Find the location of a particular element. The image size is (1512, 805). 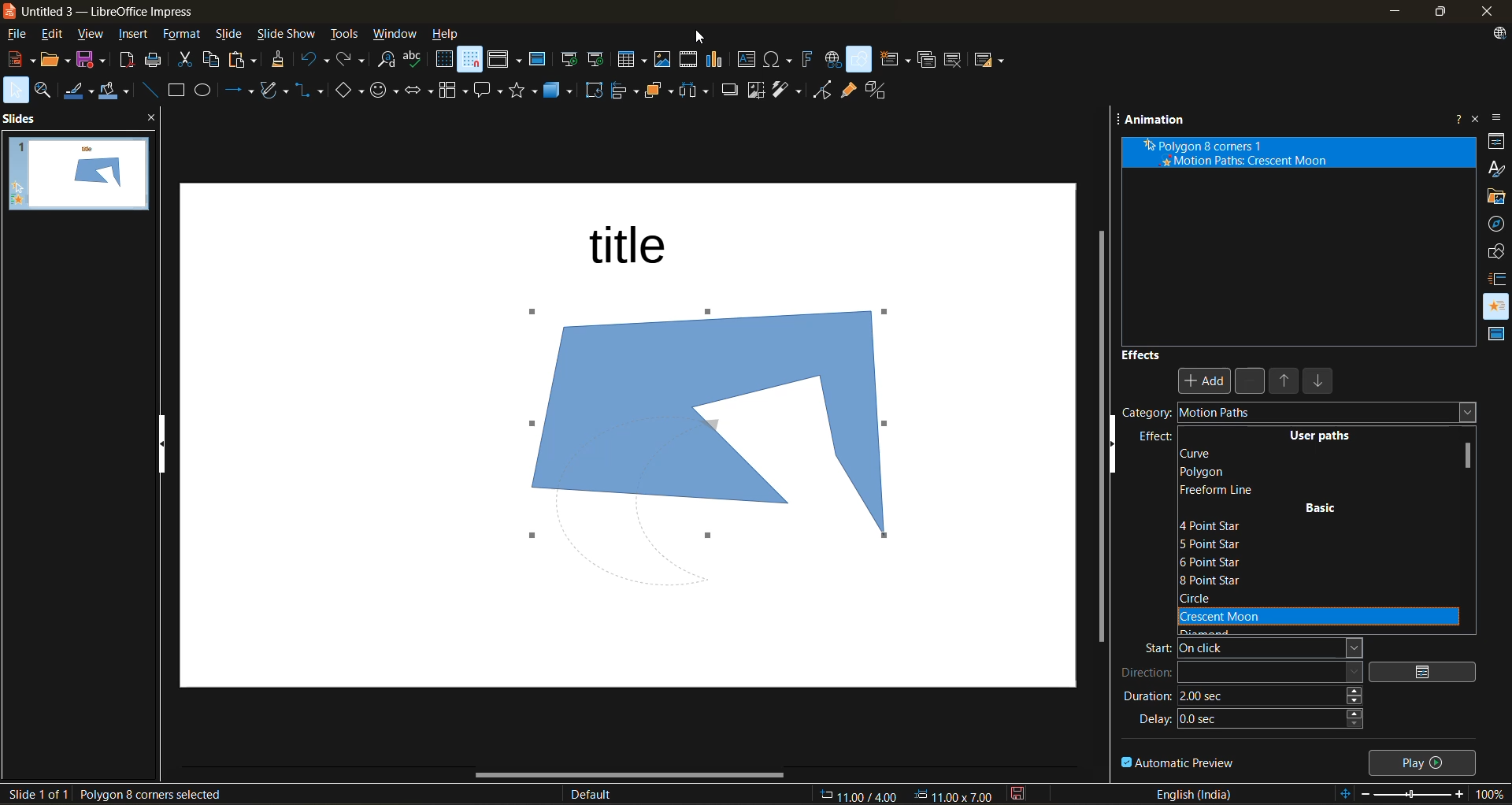

edit is located at coordinates (57, 35).